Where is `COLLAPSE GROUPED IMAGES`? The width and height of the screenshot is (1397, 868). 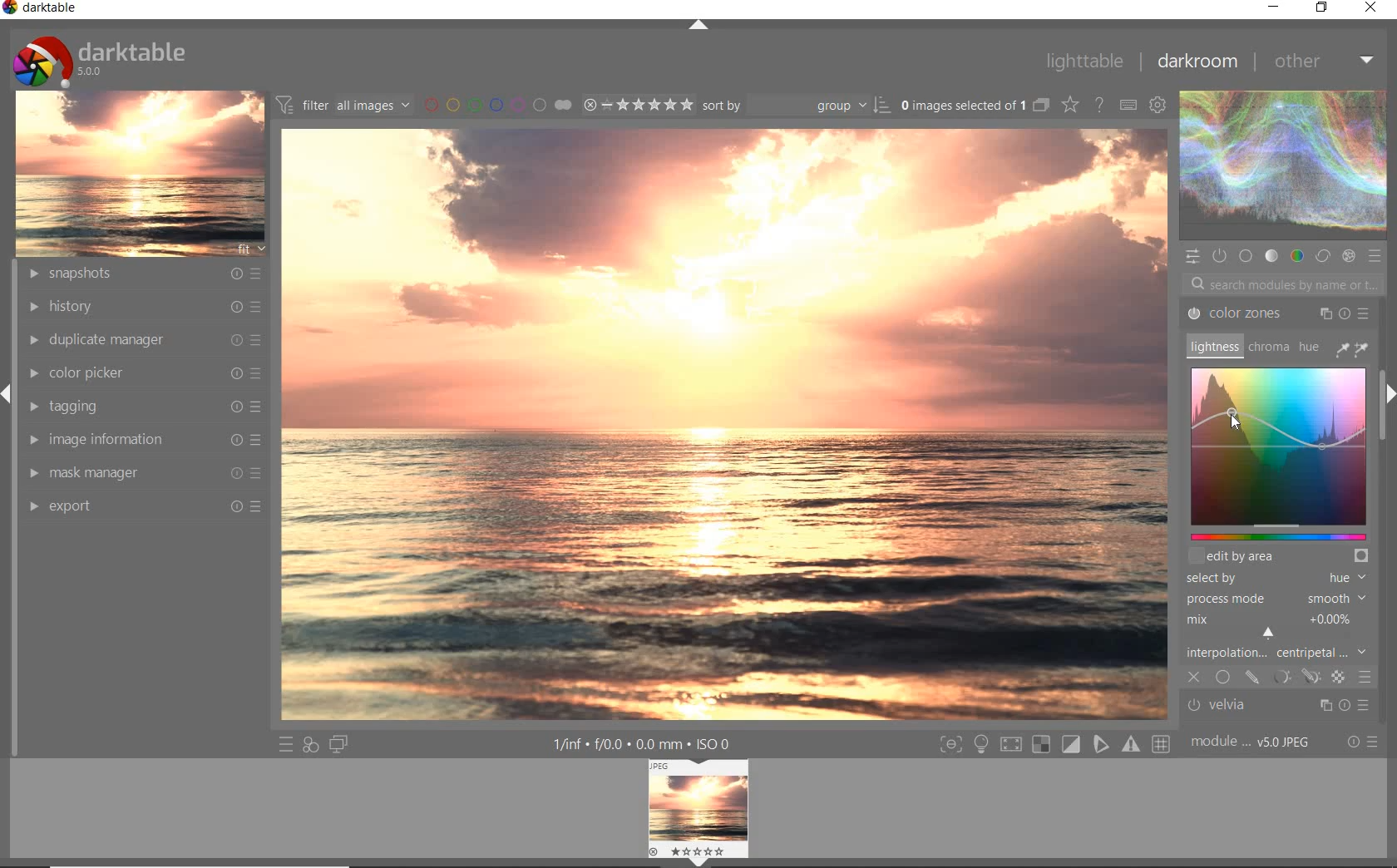
COLLAPSE GROUPED IMAGES is located at coordinates (1040, 104).